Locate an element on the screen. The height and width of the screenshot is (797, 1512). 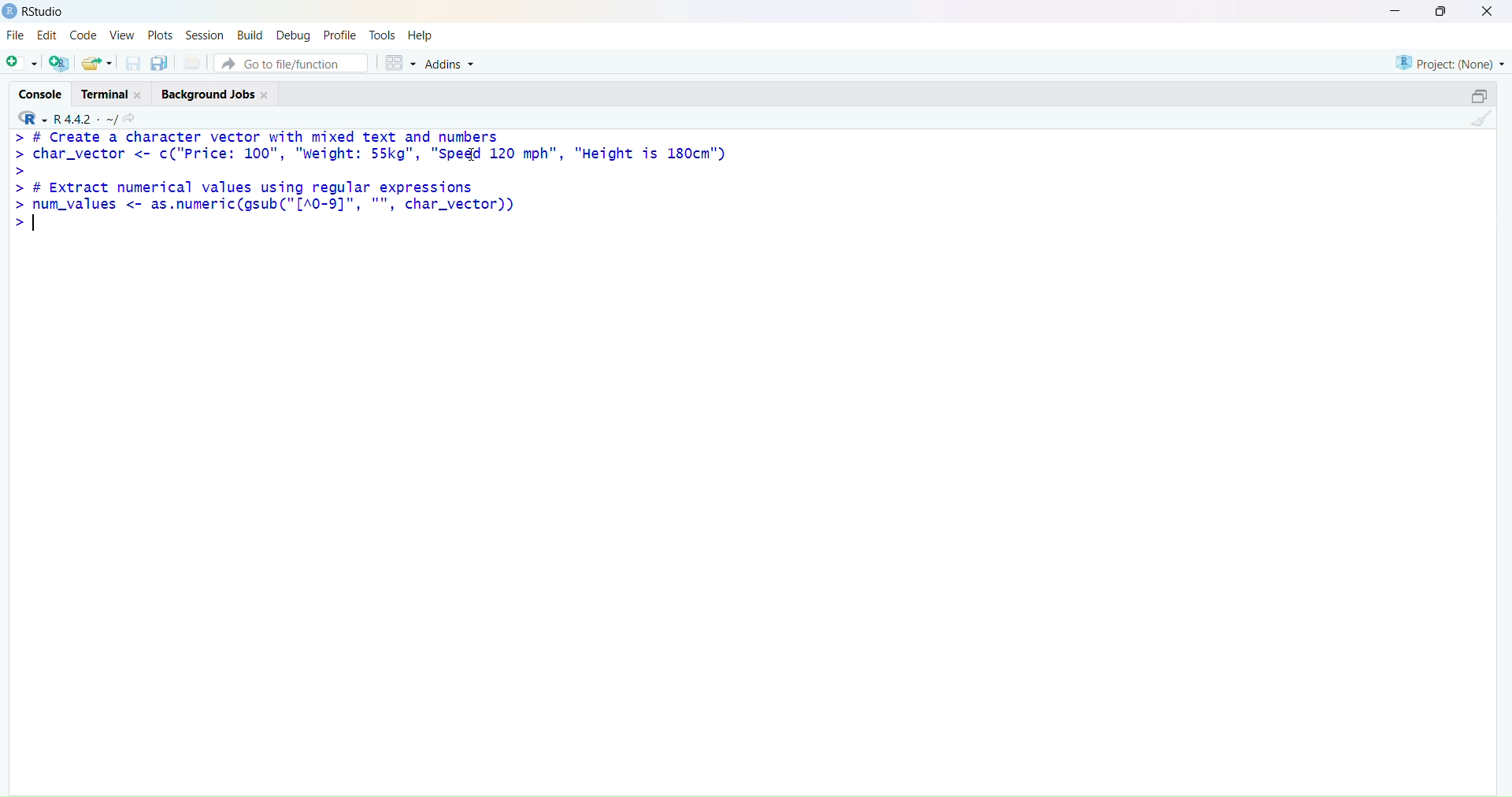
code is located at coordinates (83, 35).